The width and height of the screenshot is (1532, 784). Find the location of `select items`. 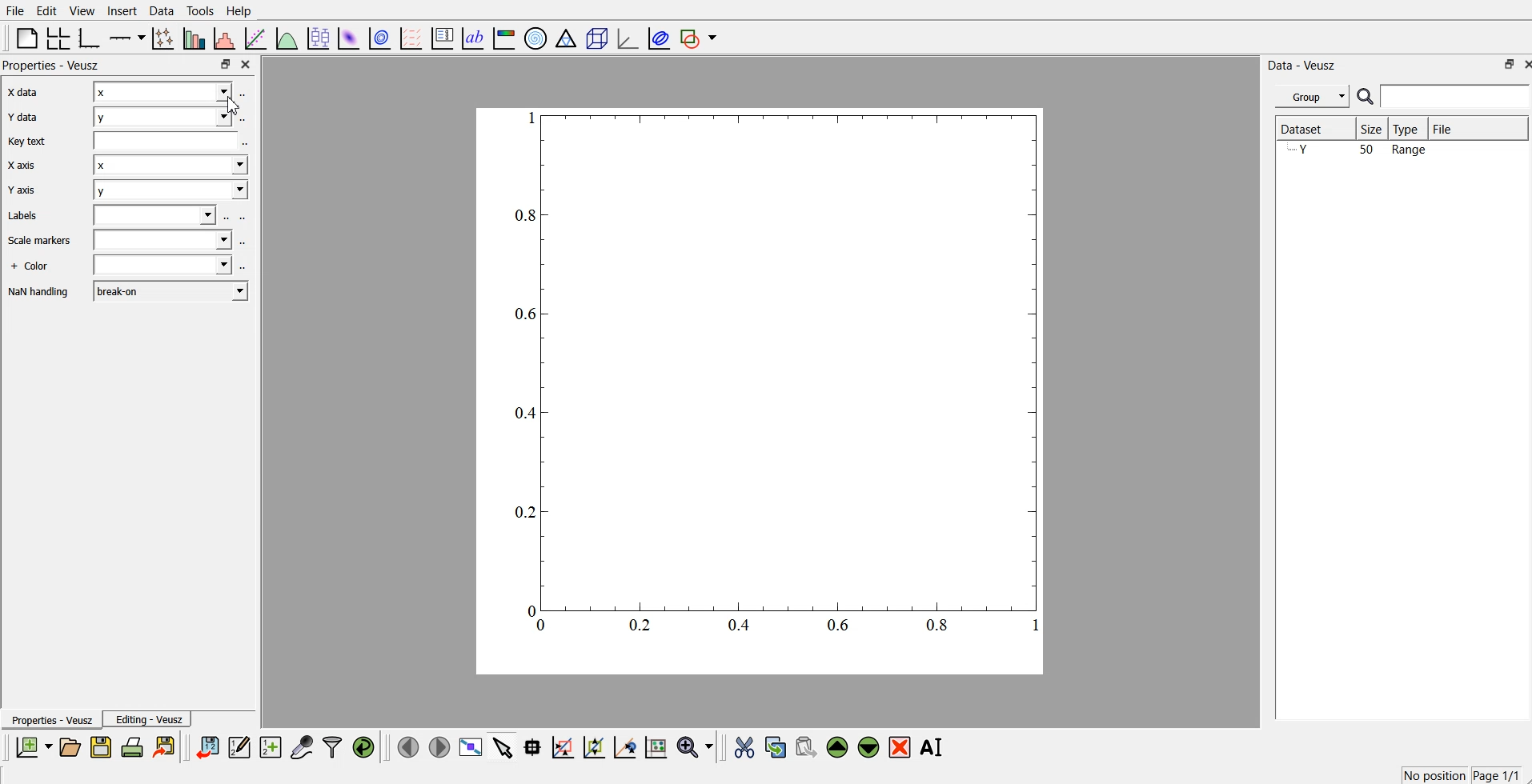

select items is located at coordinates (502, 749).